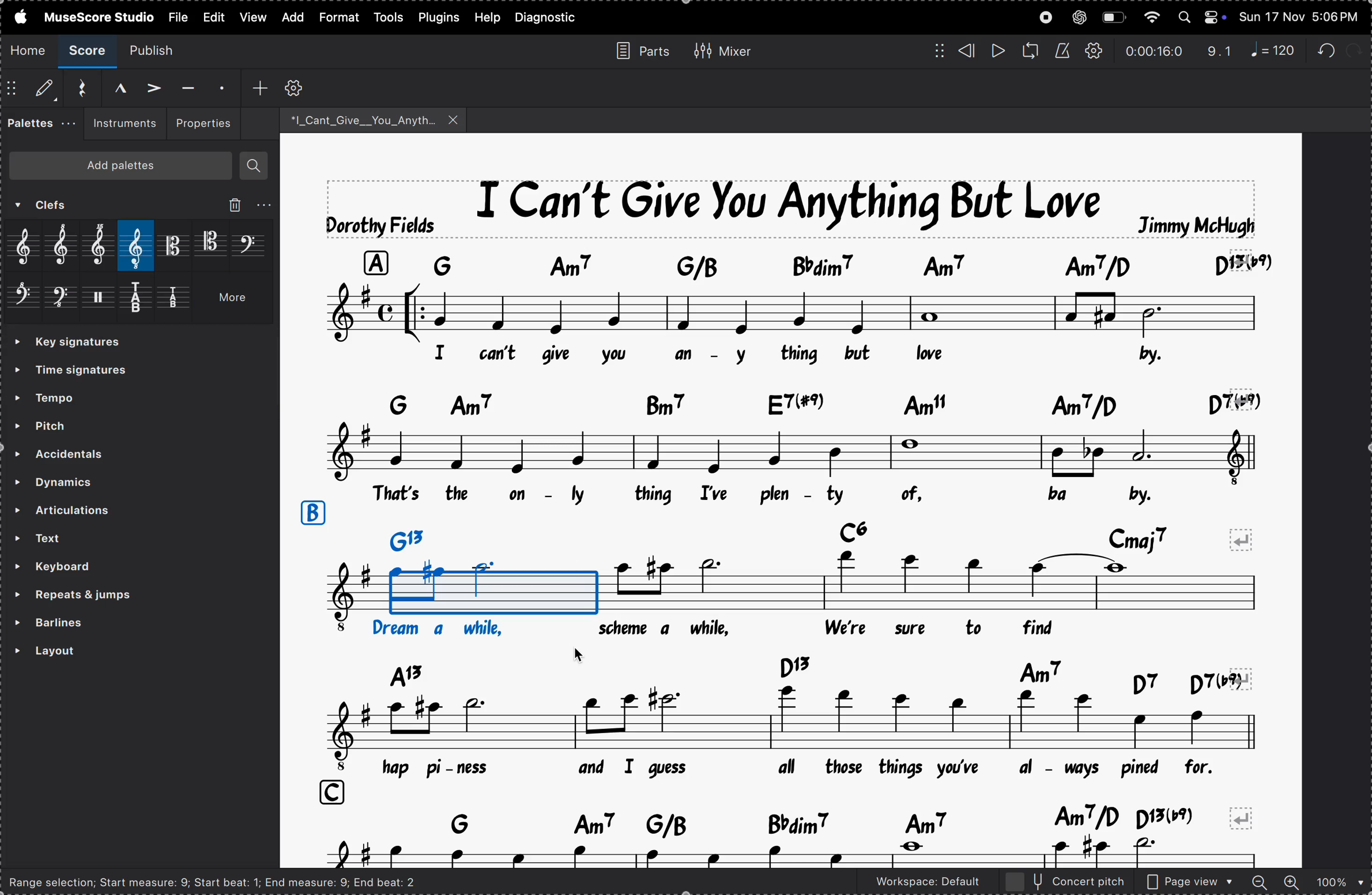  What do you see at coordinates (178, 300) in the screenshot?
I see `tablature 4lines` at bounding box center [178, 300].